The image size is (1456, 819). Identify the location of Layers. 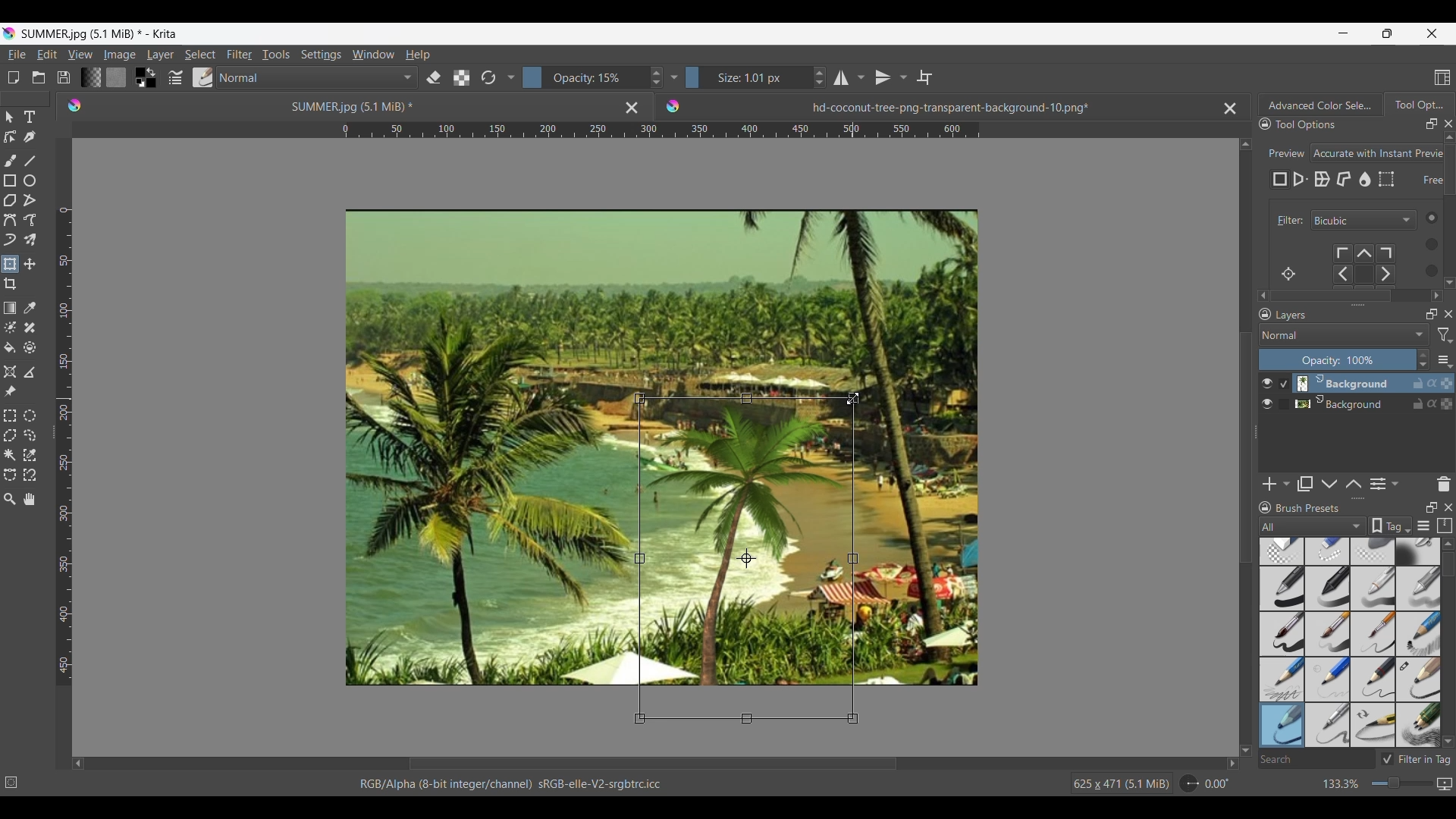
(1347, 315).